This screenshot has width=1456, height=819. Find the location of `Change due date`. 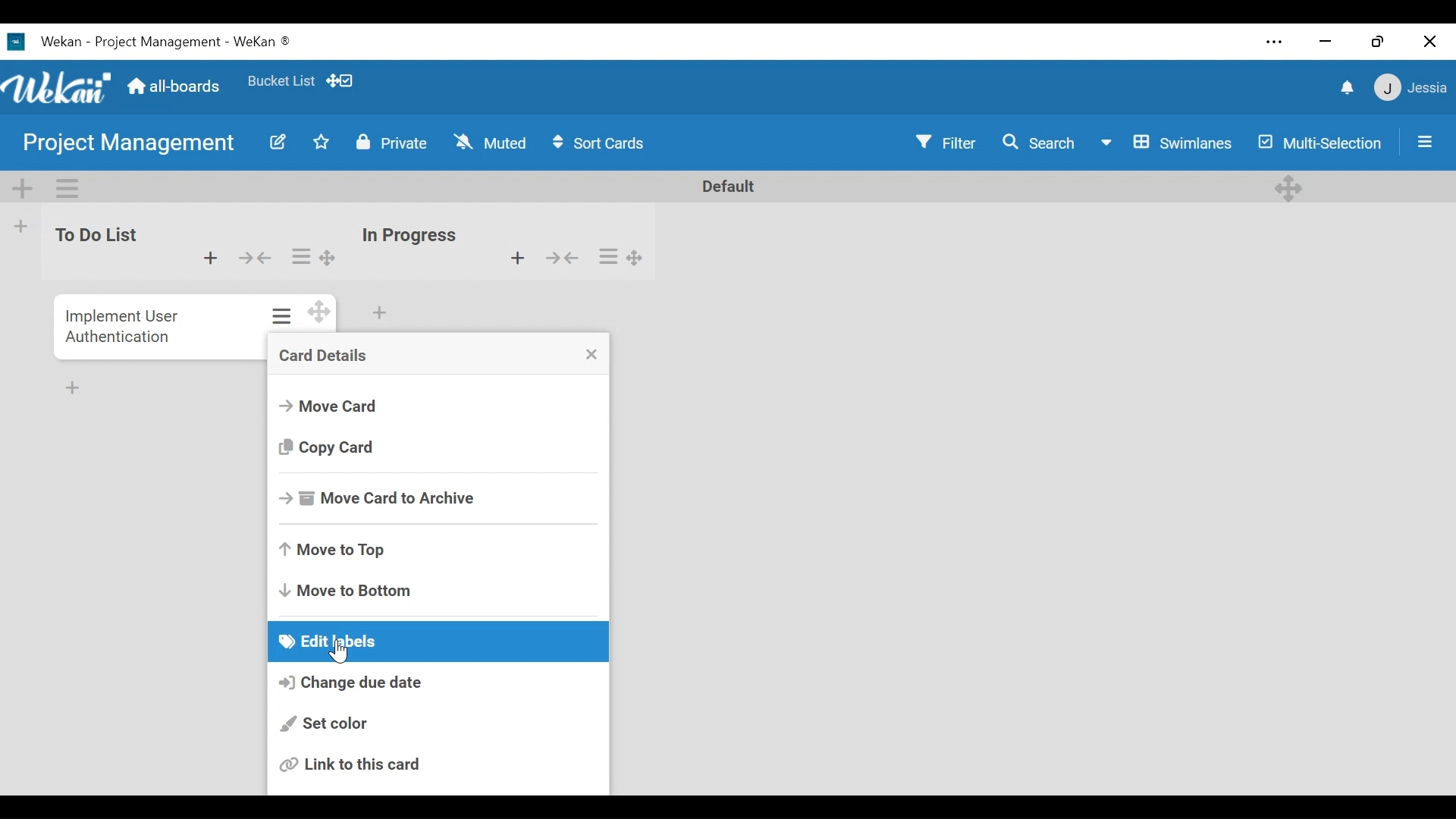

Change due date is located at coordinates (353, 684).